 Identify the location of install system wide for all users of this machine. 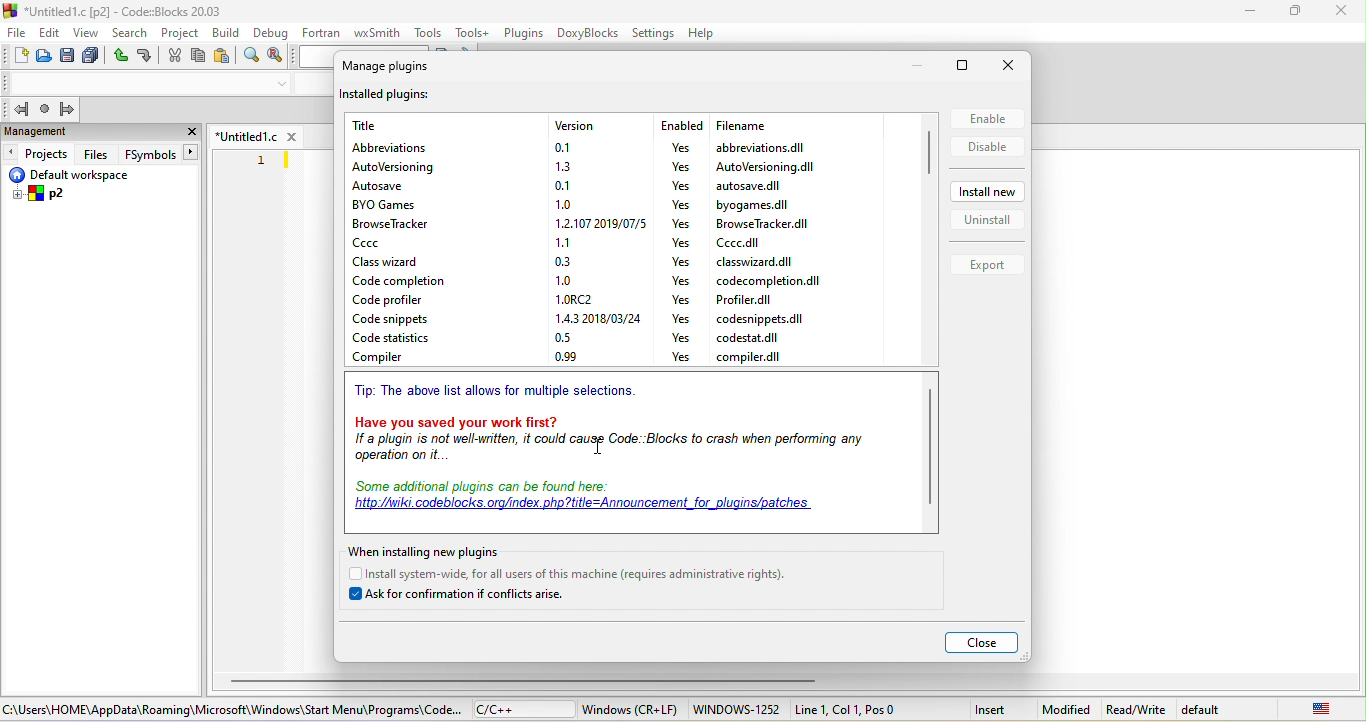
(577, 574).